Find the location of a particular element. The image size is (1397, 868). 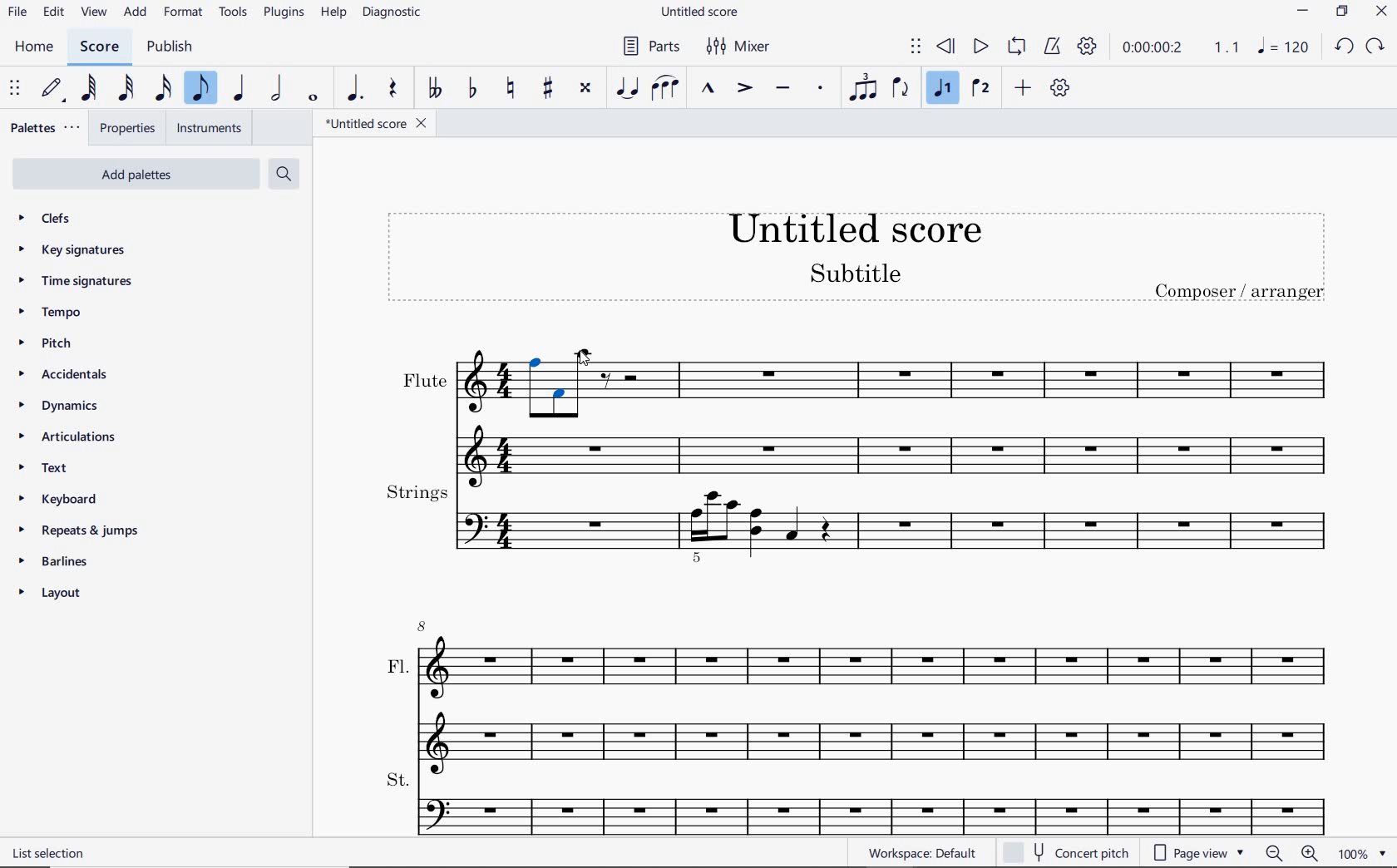

FILE NAME is located at coordinates (380, 123).